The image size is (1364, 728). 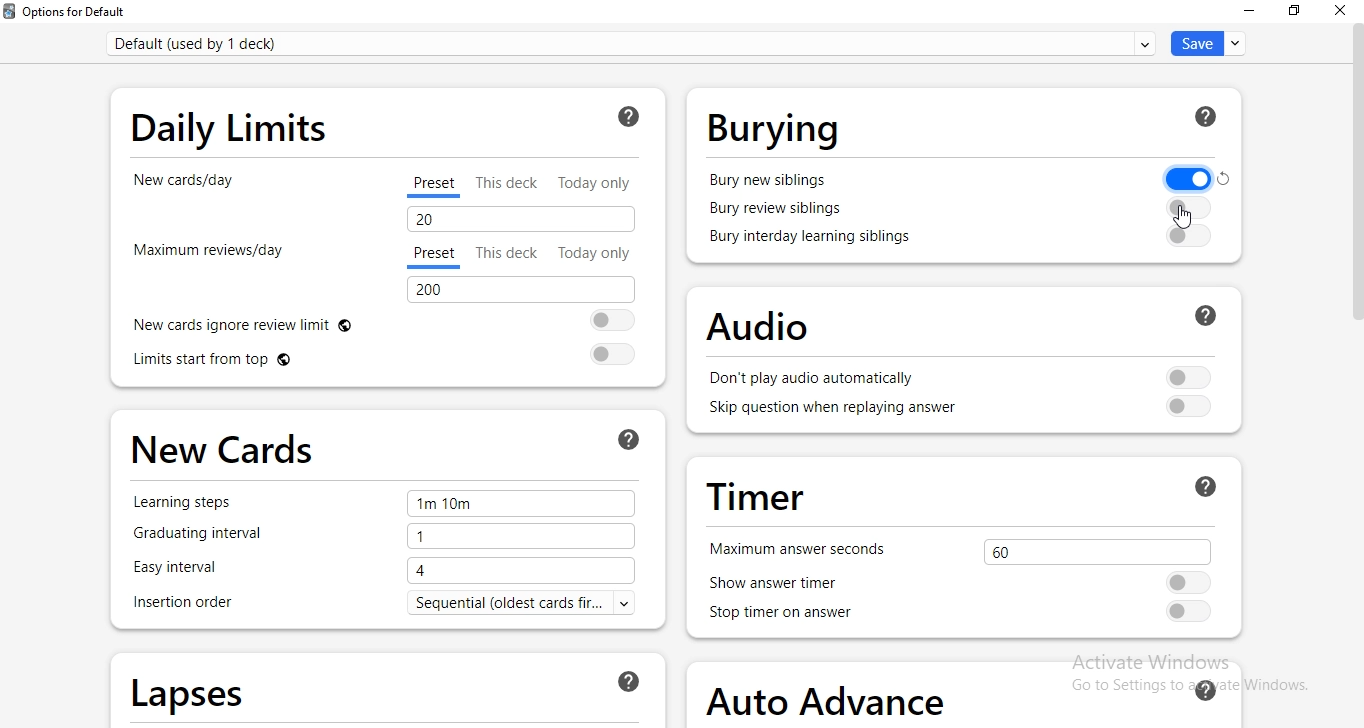 What do you see at coordinates (794, 614) in the screenshot?
I see `stop timer on answer` at bounding box center [794, 614].